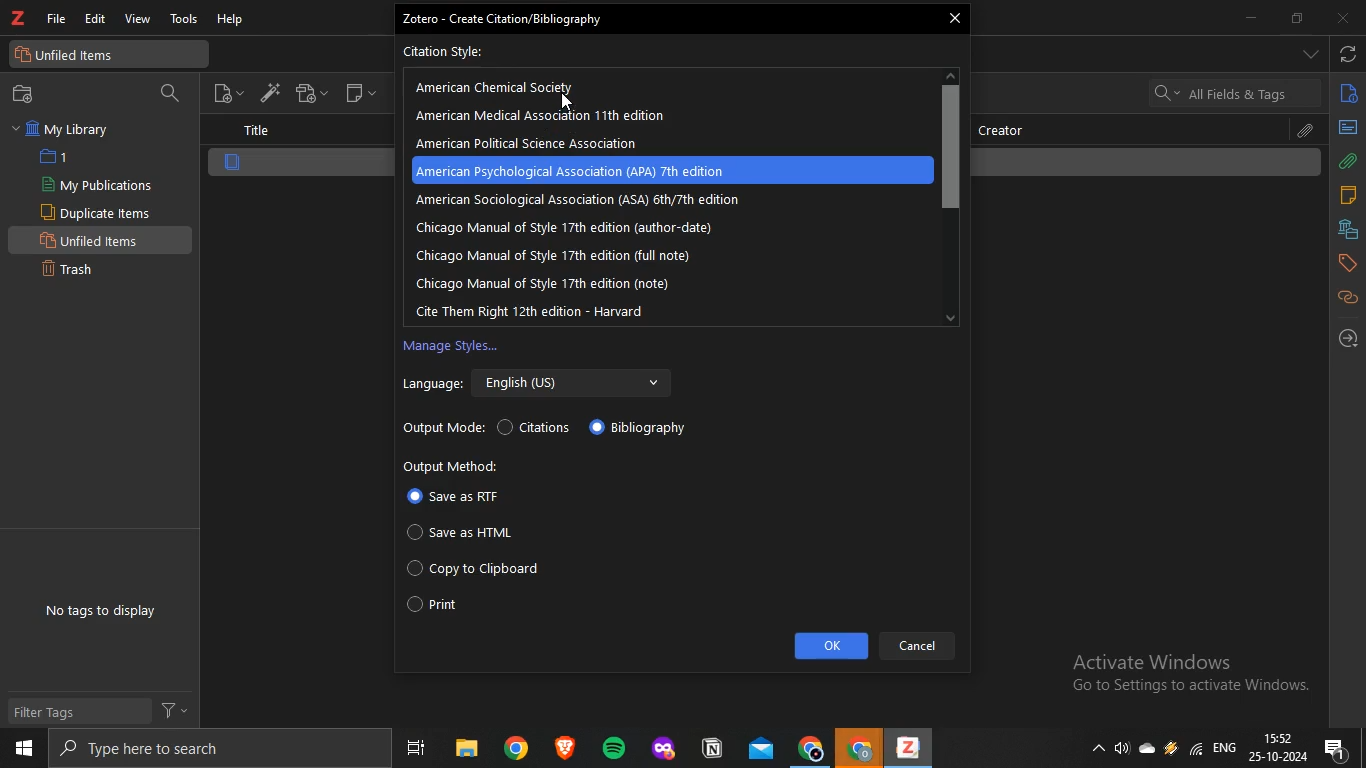 The height and width of the screenshot is (768, 1366). Describe the element at coordinates (185, 21) in the screenshot. I see `tools` at that location.